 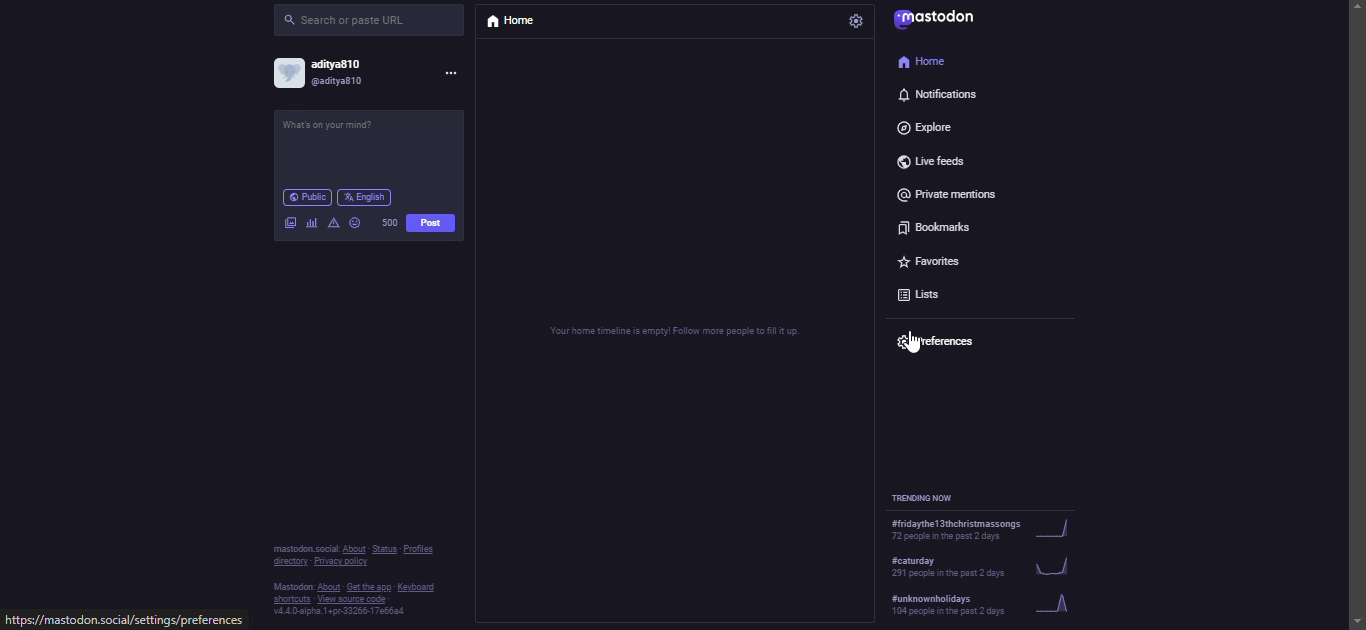 I want to click on trending, so click(x=936, y=497).